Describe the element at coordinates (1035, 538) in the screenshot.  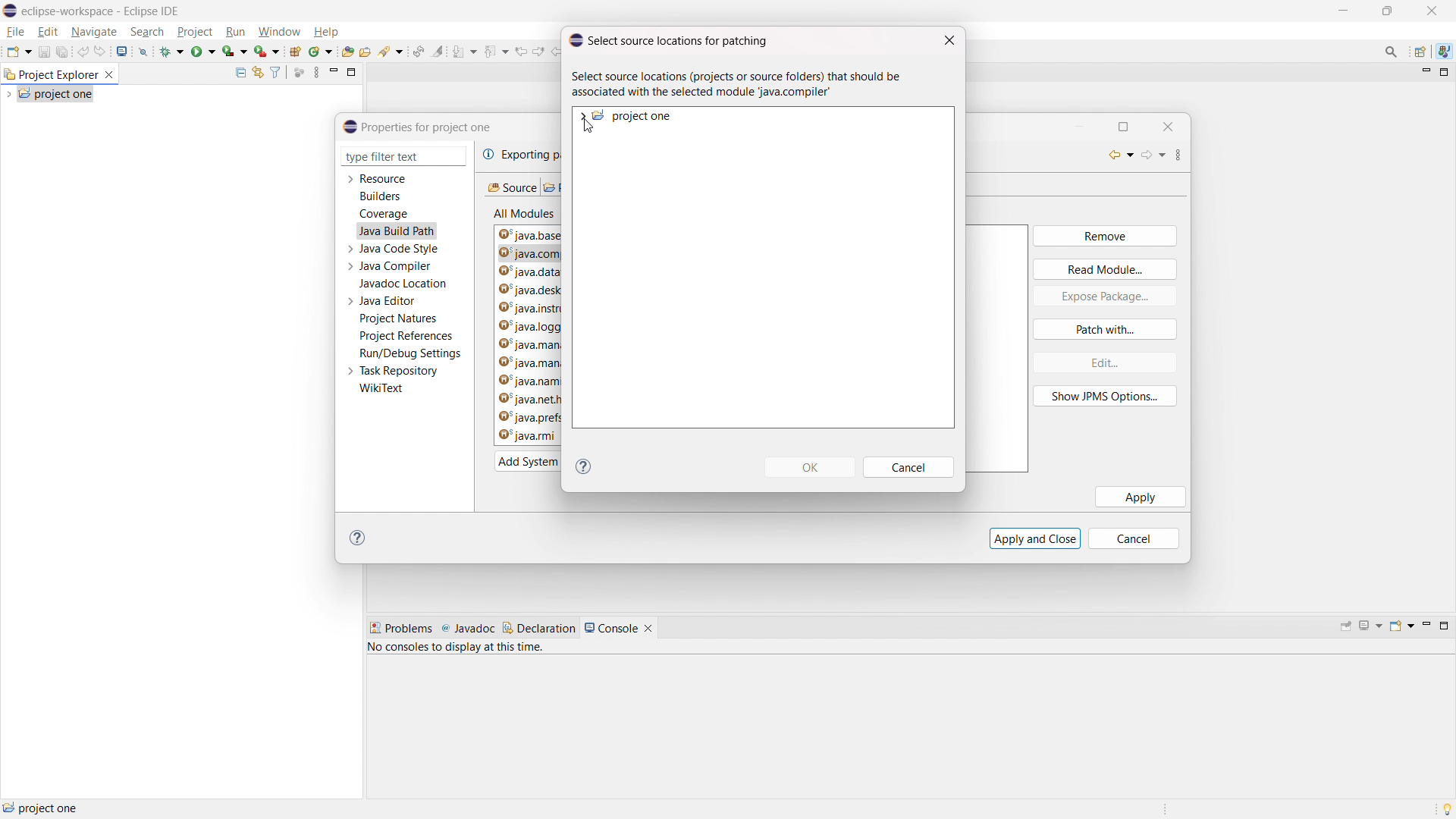
I see `apply and close` at that location.